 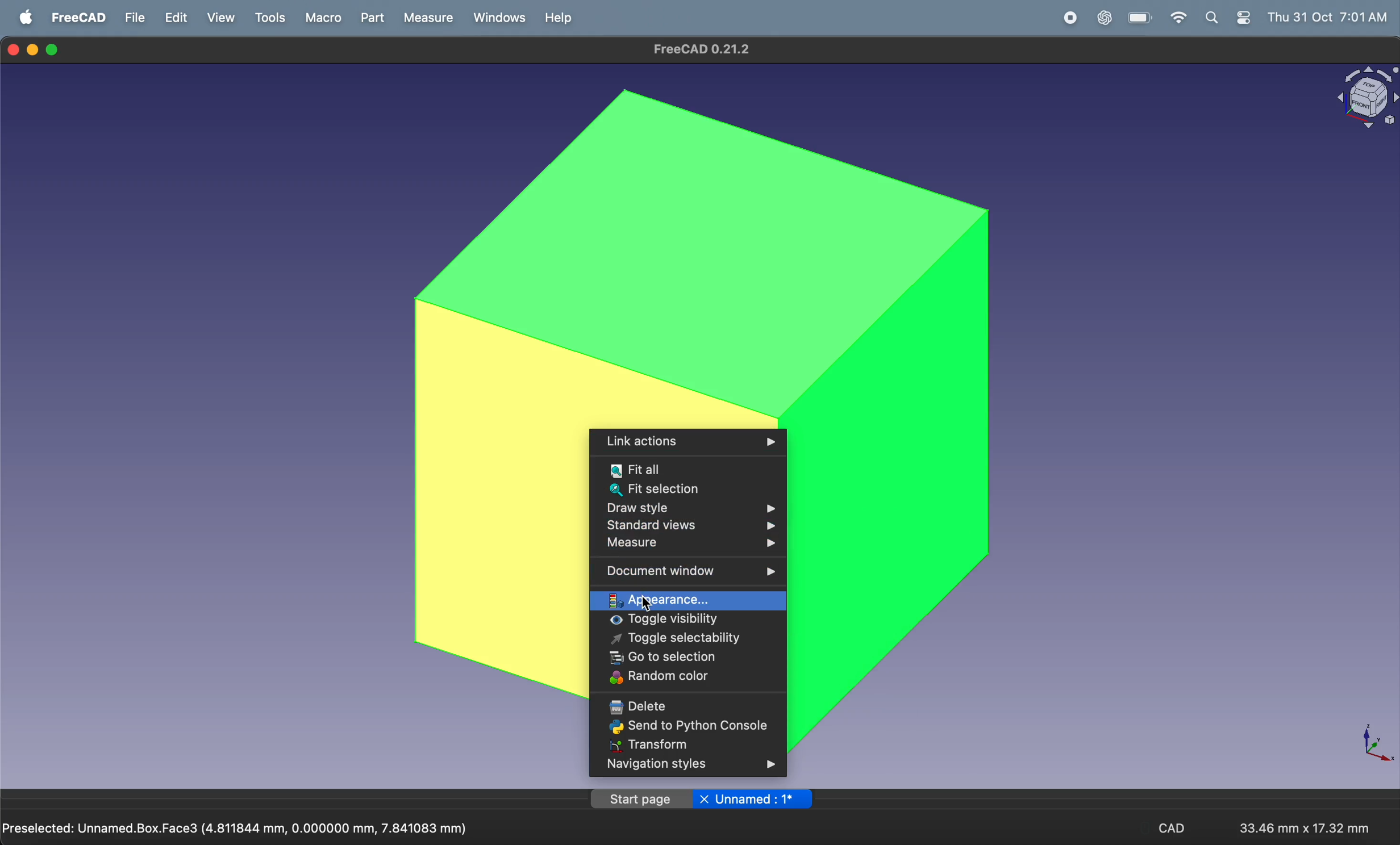 What do you see at coordinates (689, 727) in the screenshot?
I see `send to python console` at bounding box center [689, 727].